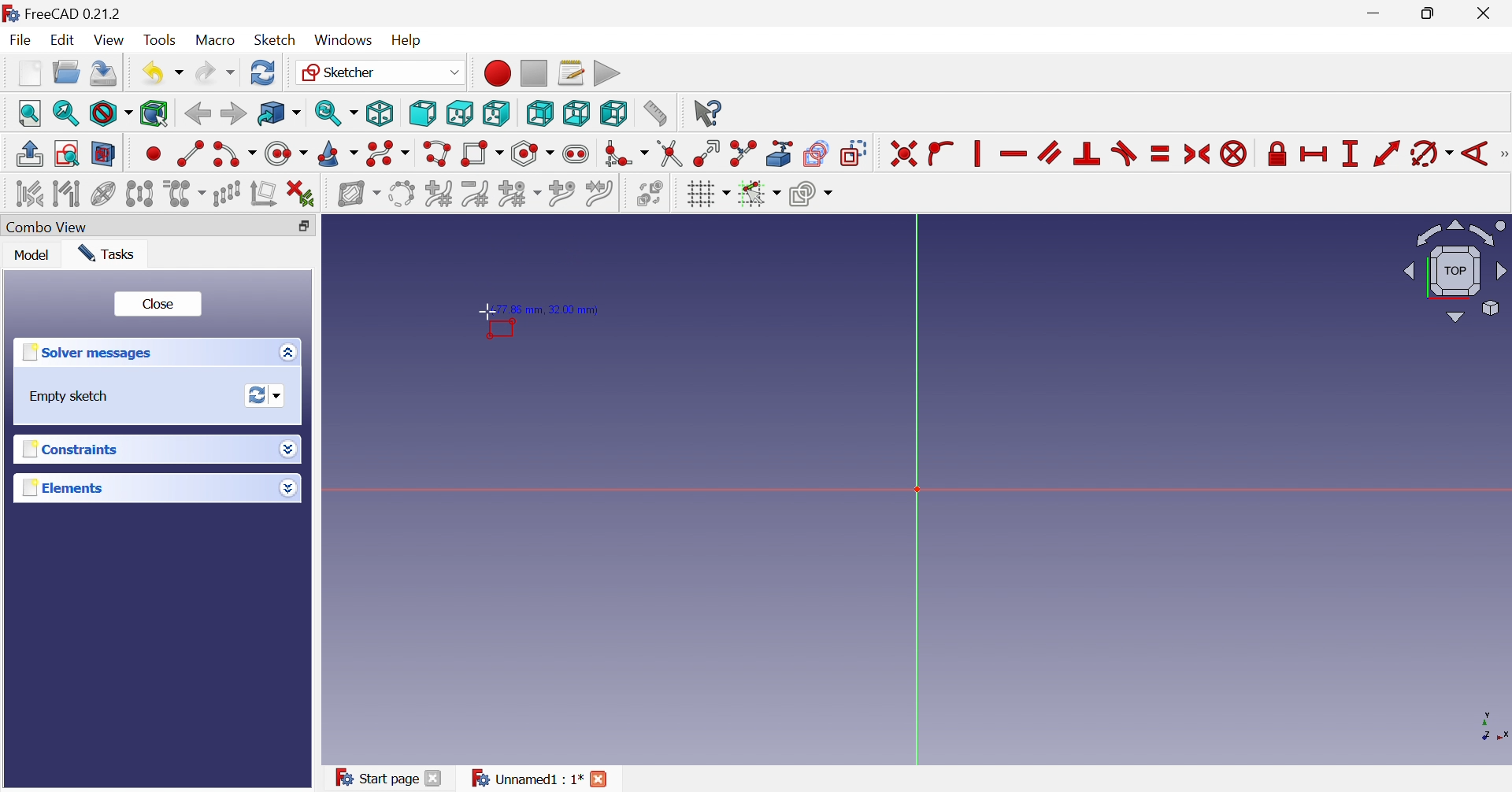 Image resolution: width=1512 pixels, height=792 pixels. What do you see at coordinates (1233, 154) in the screenshot?
I see `Constrain block` at bounding box center [1233, 154].